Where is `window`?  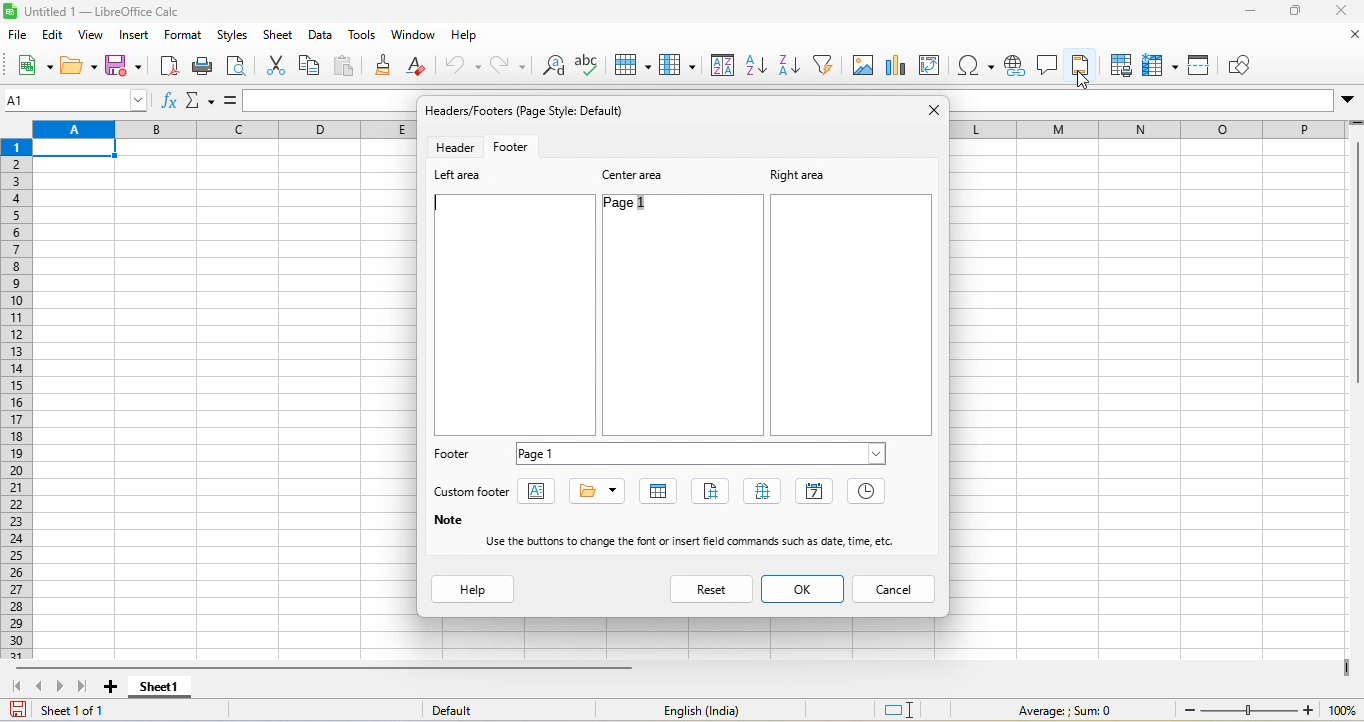
window is located at coordinates (410, 38).